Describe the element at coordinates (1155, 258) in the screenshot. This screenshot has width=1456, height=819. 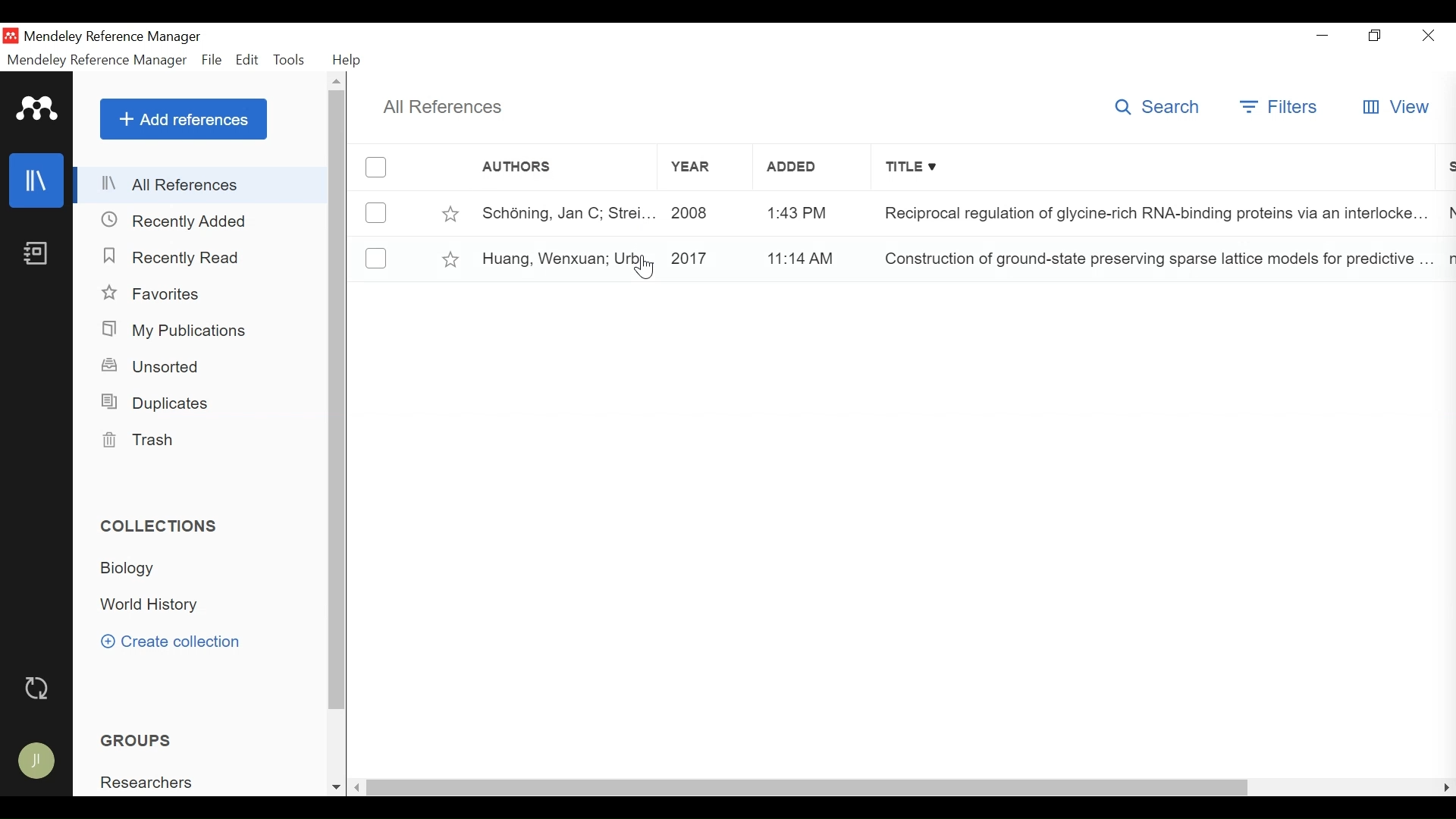
I see `Title` at that location.